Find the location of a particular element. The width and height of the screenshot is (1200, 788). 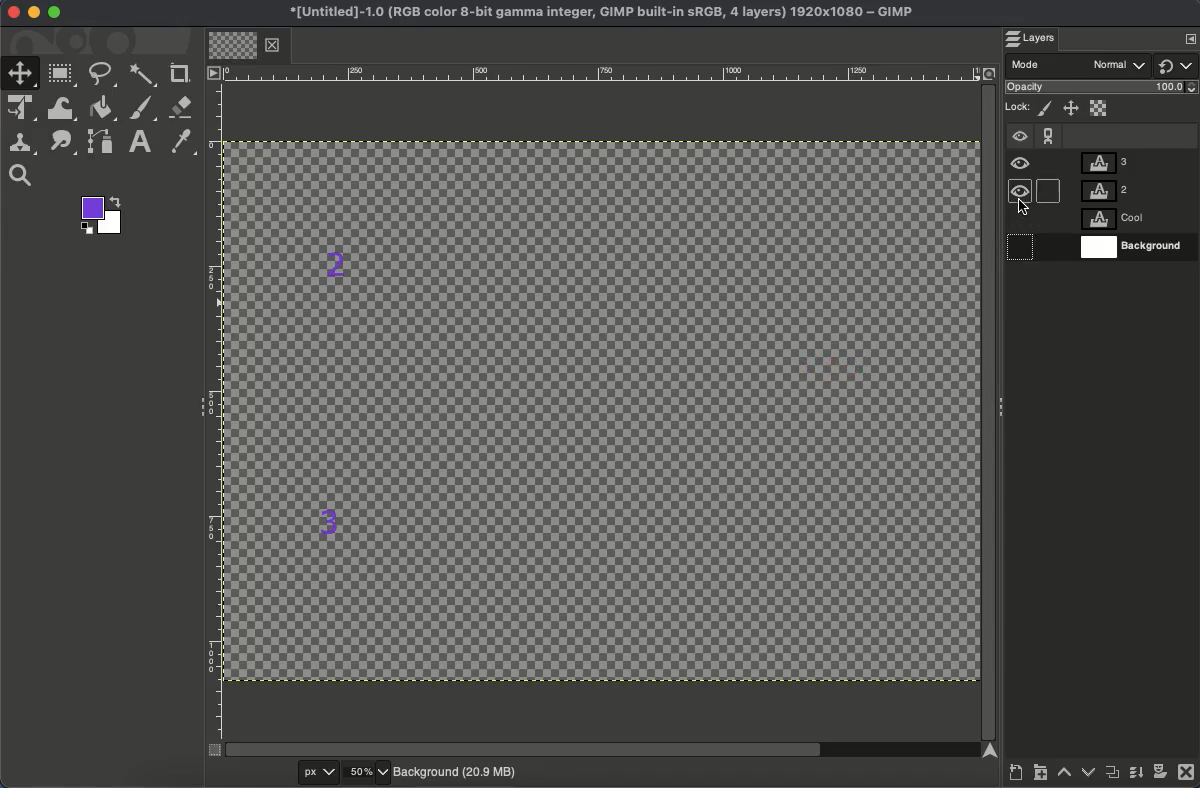

Fill is located at coordinates (103, 108).